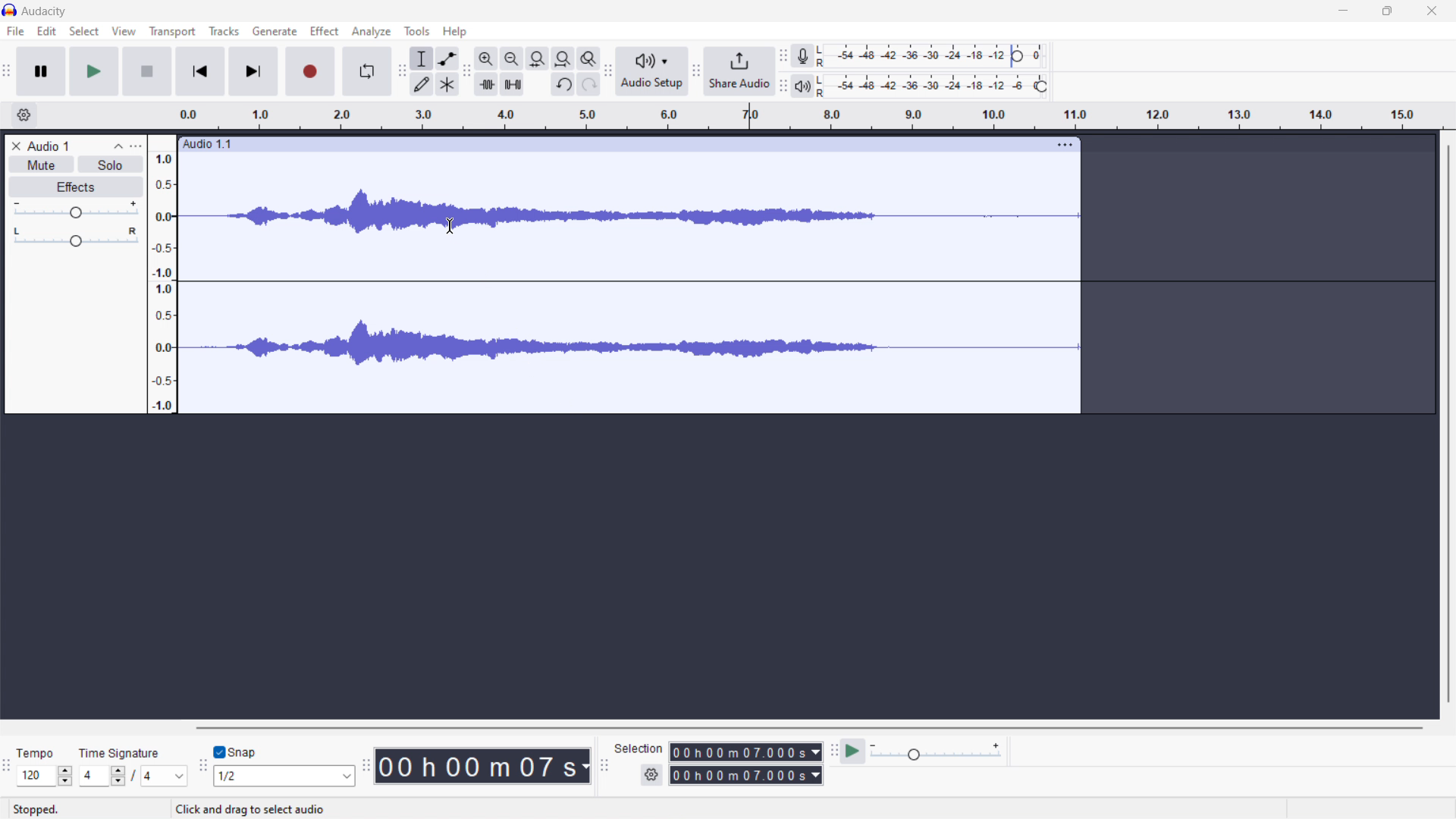 This screenshot has height=819, width=1456. Describe the element at coordinates (835, 750) in the screenshot. I see `play-at-speed toolbar` at that location.